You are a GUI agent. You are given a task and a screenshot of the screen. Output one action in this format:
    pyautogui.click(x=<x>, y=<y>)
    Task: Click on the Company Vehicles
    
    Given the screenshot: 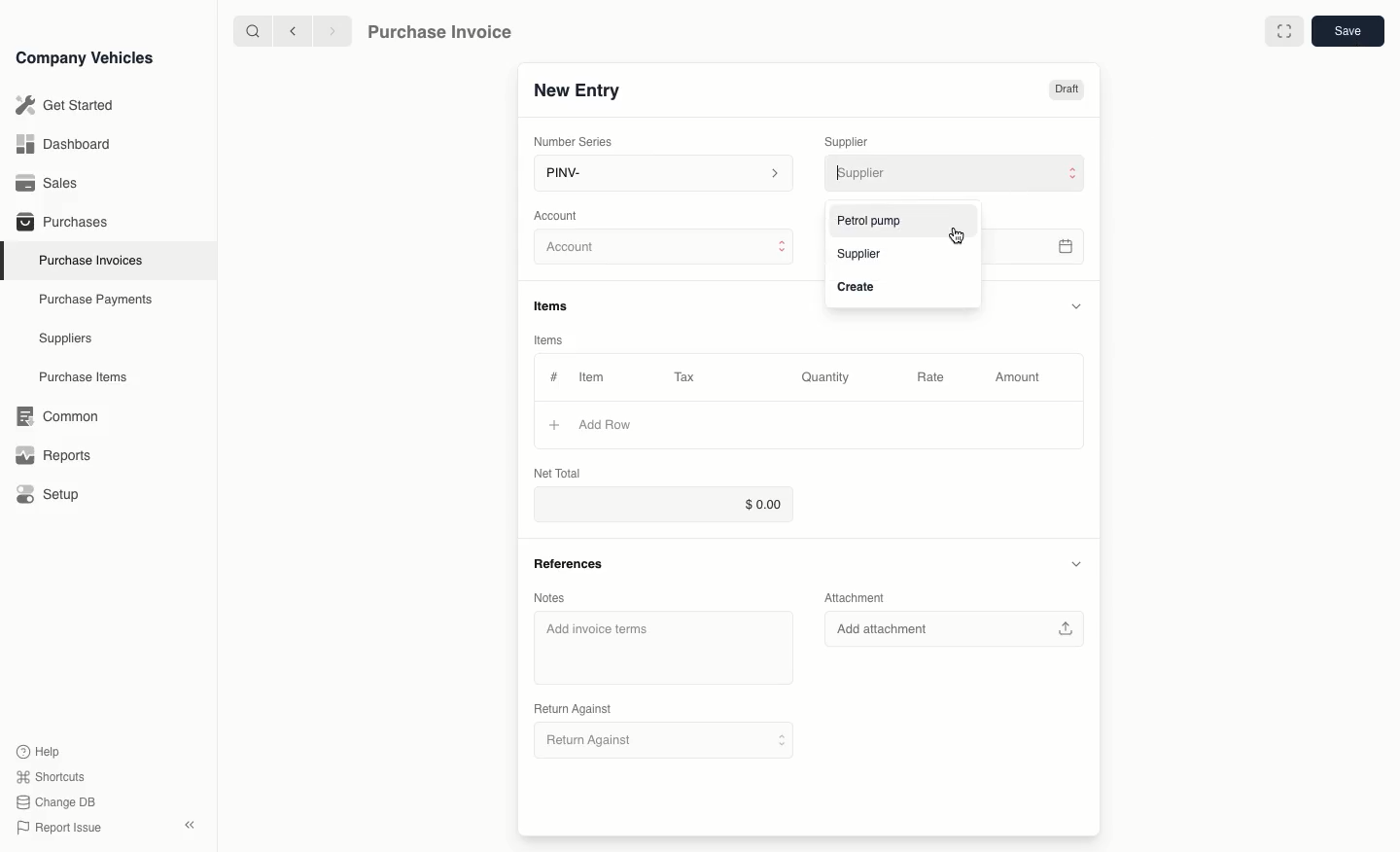 What is the action you would take?
    pyautogui.click(x=85, y=57)
    